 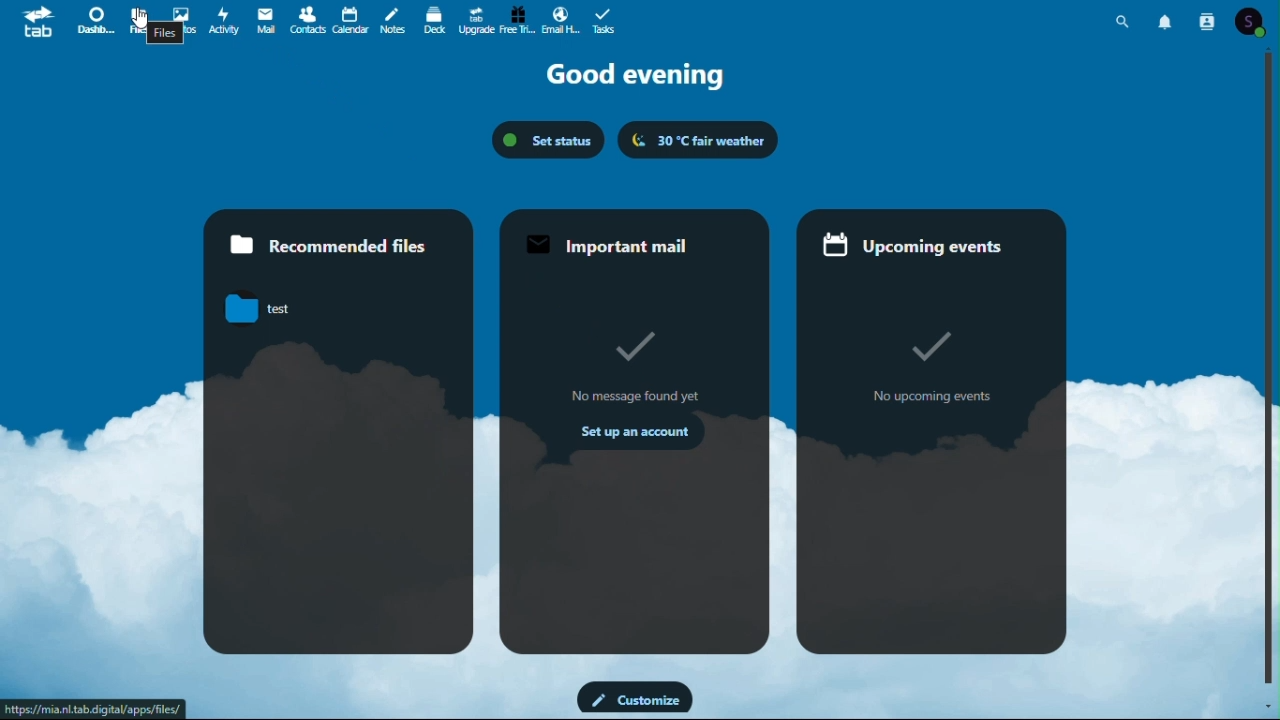 What do you see at coordinates (351, 20) in the screenshot?
I see `Calendar` at bounding box center [351, 20].